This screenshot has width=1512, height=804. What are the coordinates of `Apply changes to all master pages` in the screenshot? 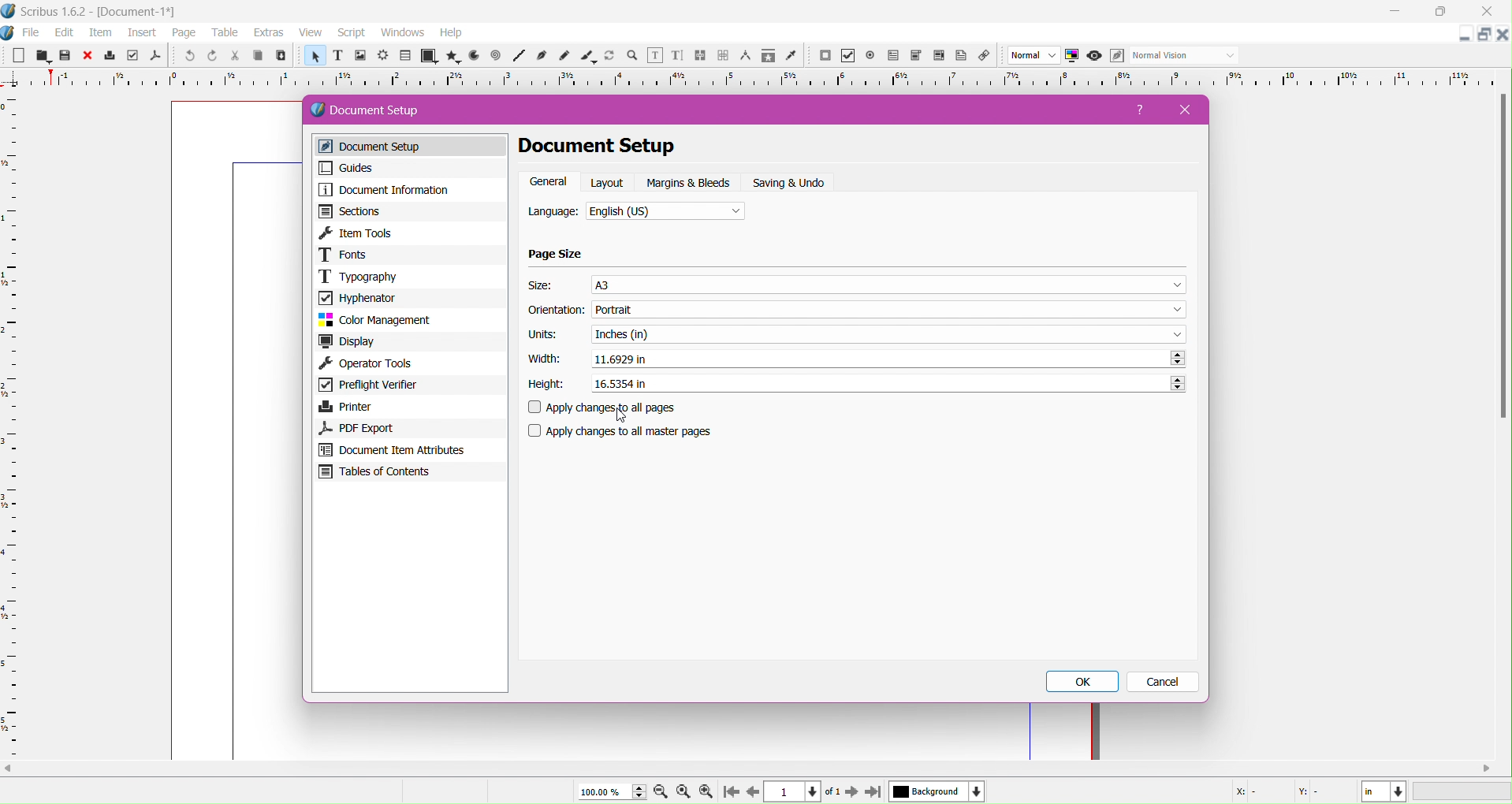 It's located at (630, 431).